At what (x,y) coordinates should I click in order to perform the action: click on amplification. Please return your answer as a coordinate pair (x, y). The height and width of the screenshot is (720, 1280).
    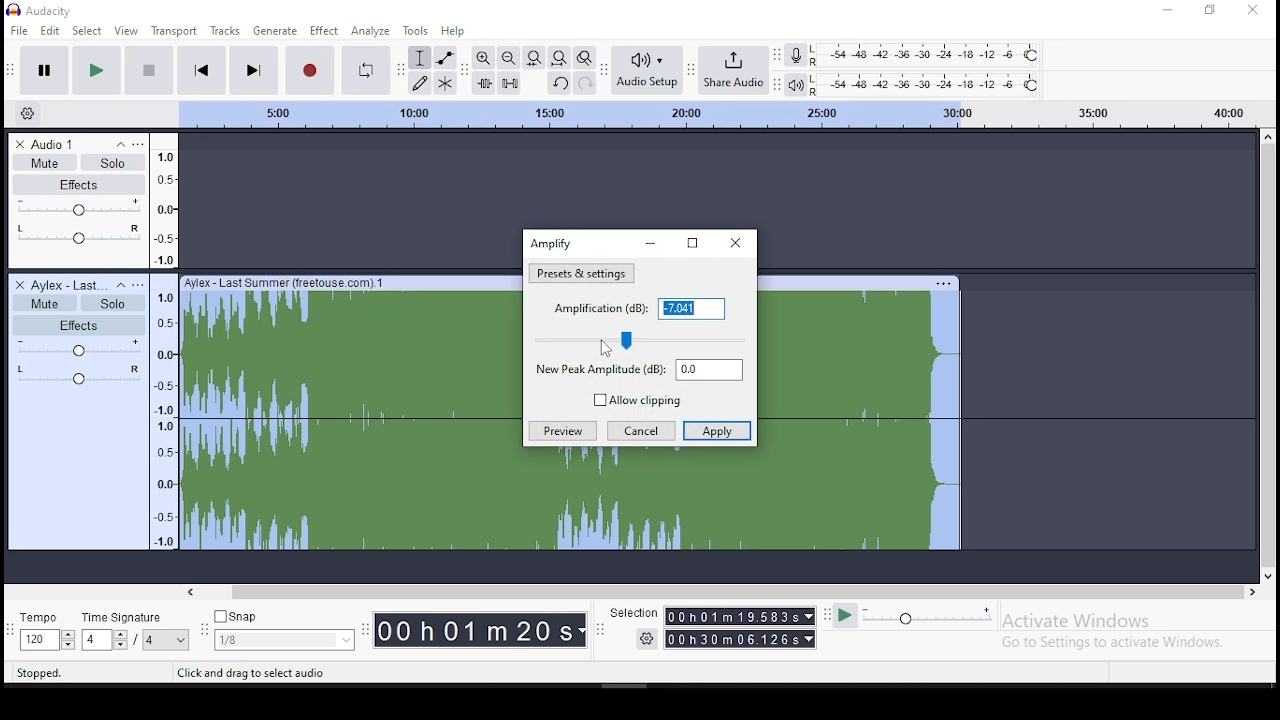
    Looking at the image, I should click on (640, 323).